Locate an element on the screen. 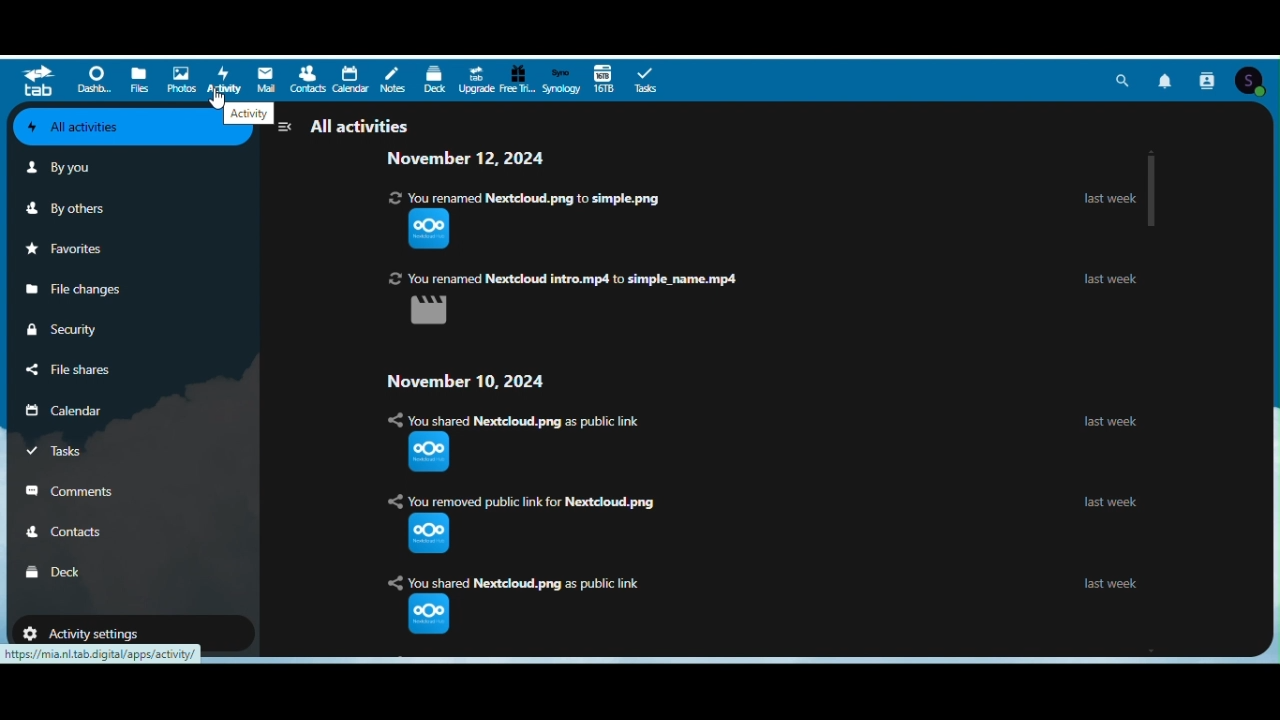 This screenshot has width=1280, height=720. File changes is located at coordinates (74, 289).